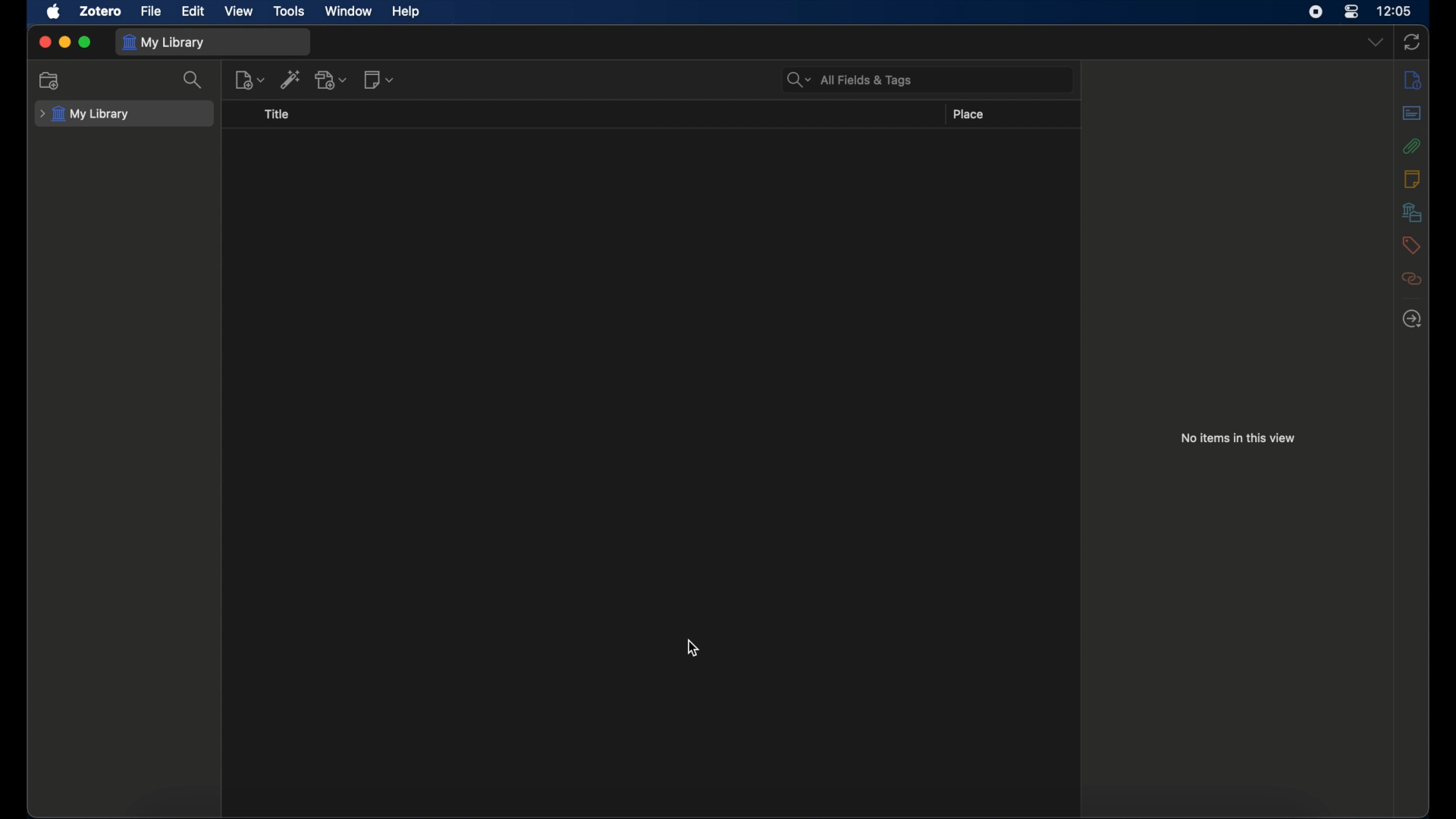 The width and height of the screenshot is (1456, 819). I want to click on search, so click(195, 80).